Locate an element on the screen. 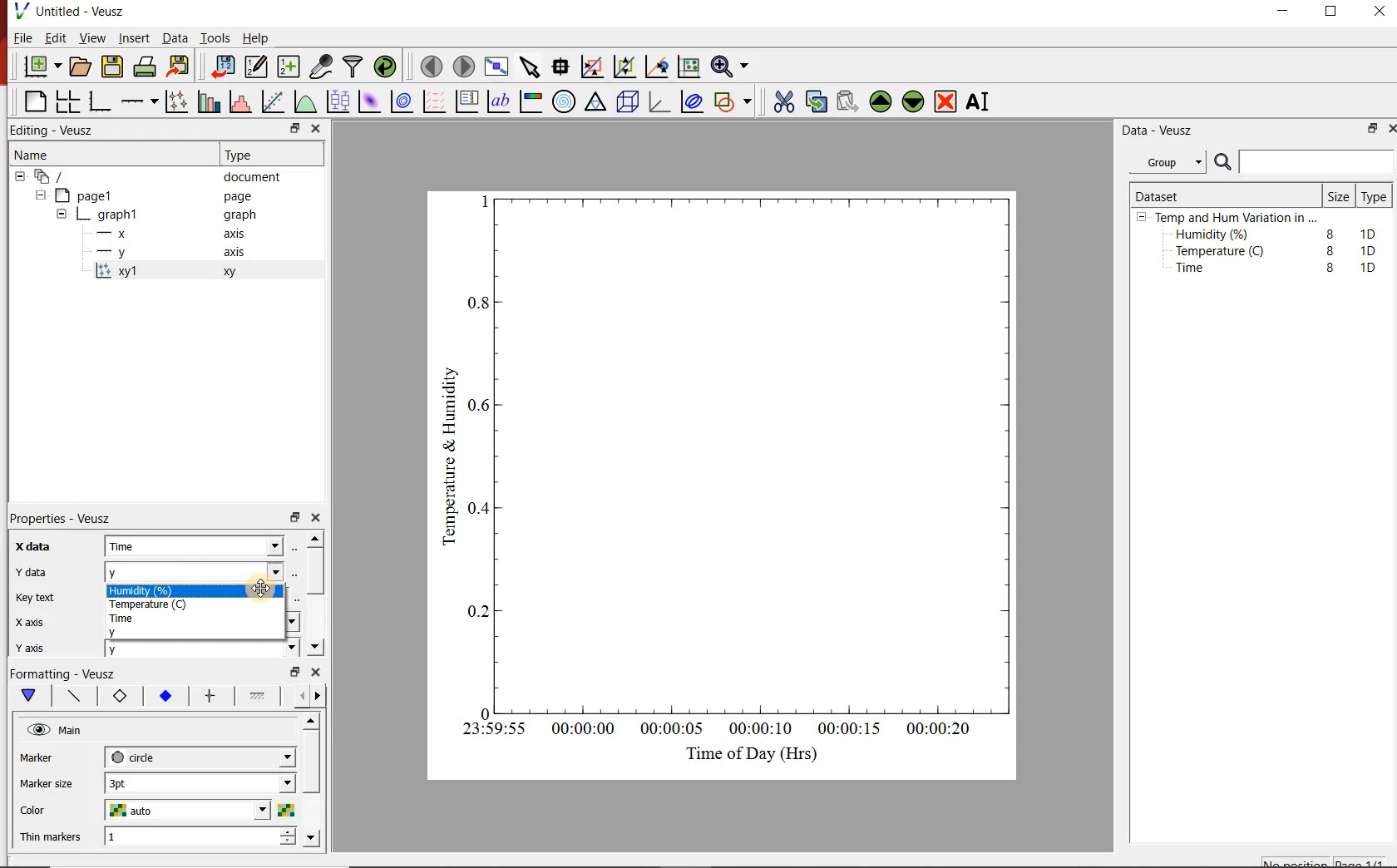  Marker dropdown is located at coordinates (262, 757).